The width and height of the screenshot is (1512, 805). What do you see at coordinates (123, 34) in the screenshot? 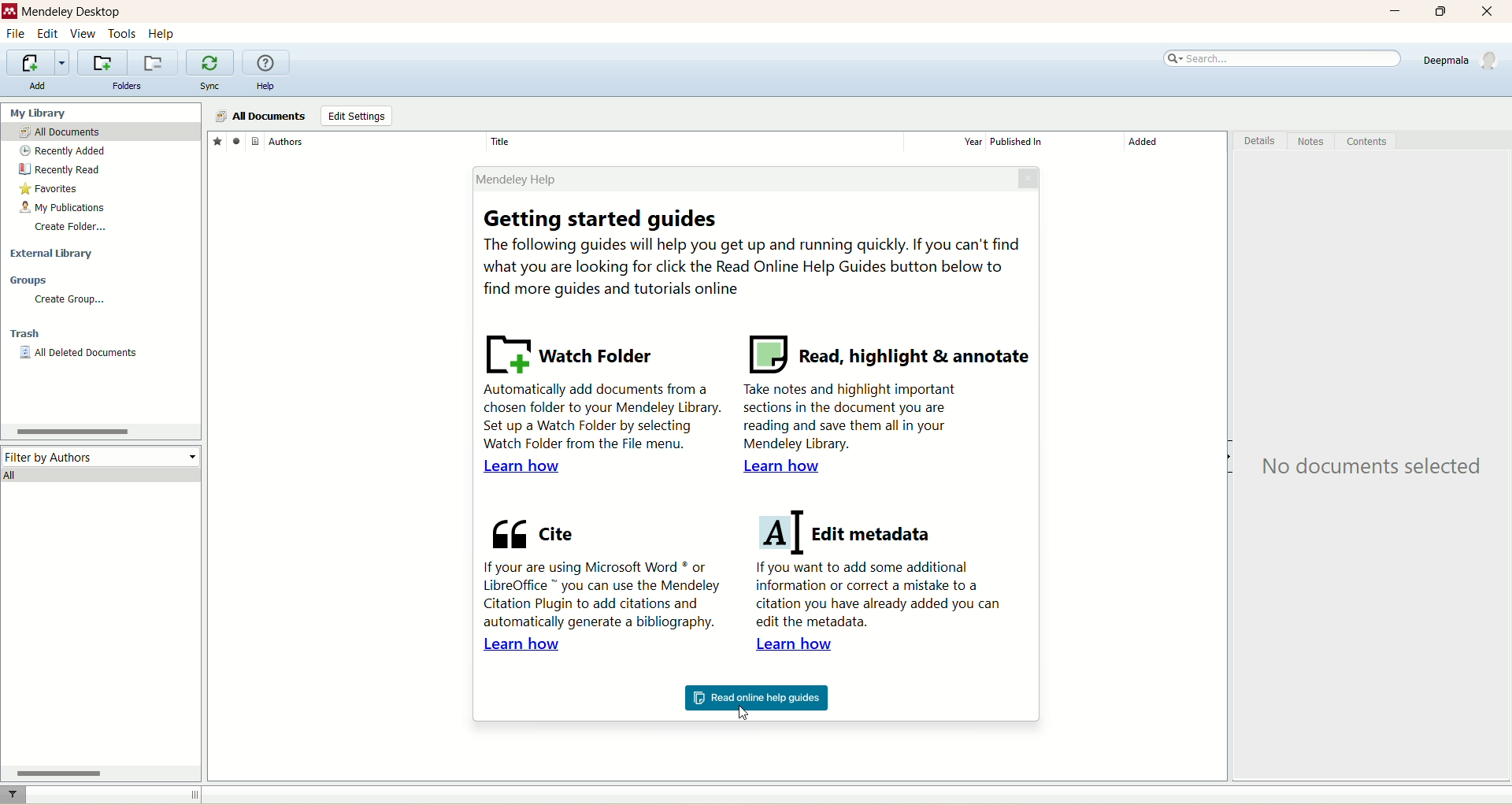
I see `tools` at bounding box center [123, 34].